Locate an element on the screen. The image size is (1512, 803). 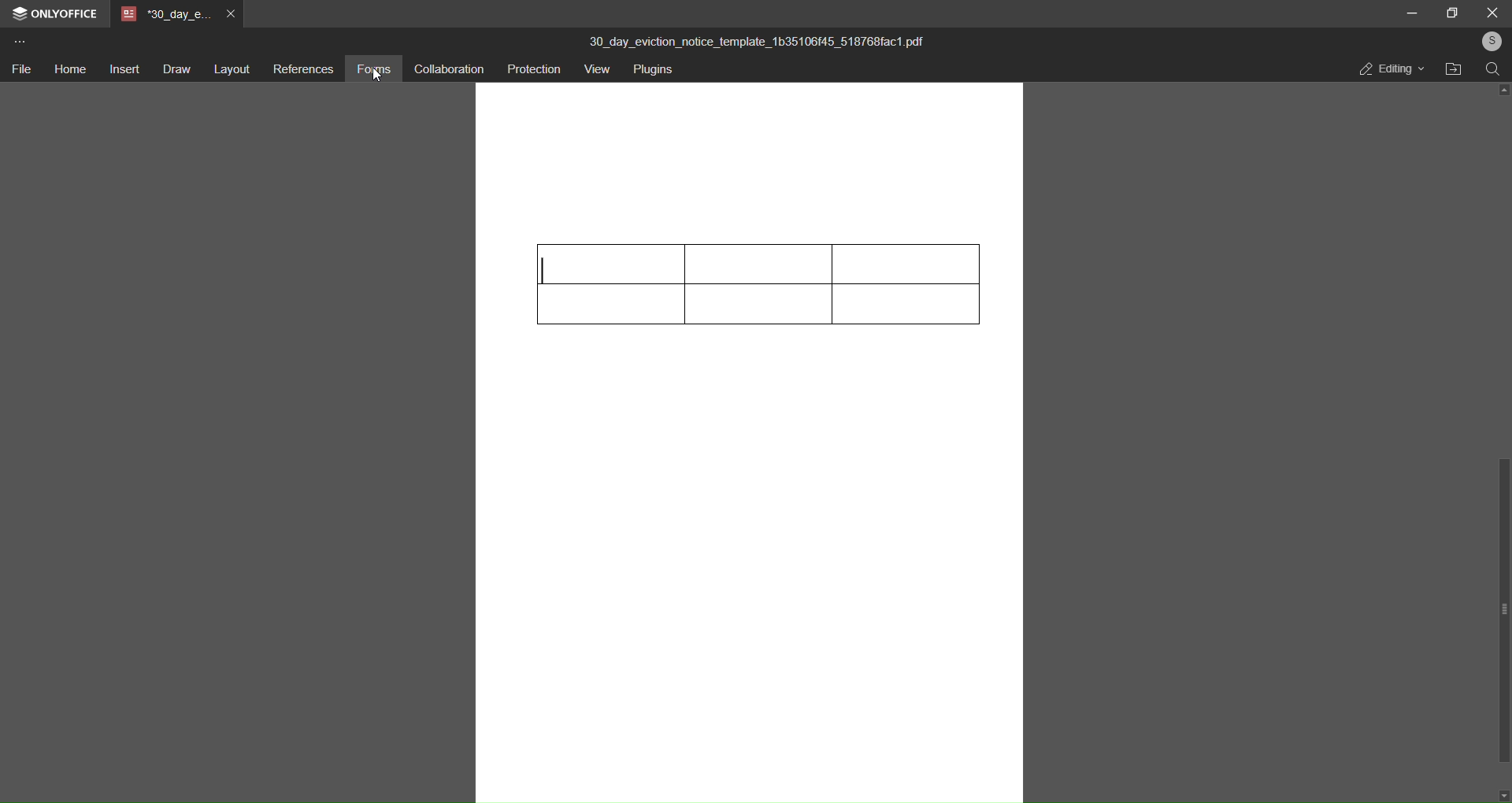
home is located at coordinates (70, 68).